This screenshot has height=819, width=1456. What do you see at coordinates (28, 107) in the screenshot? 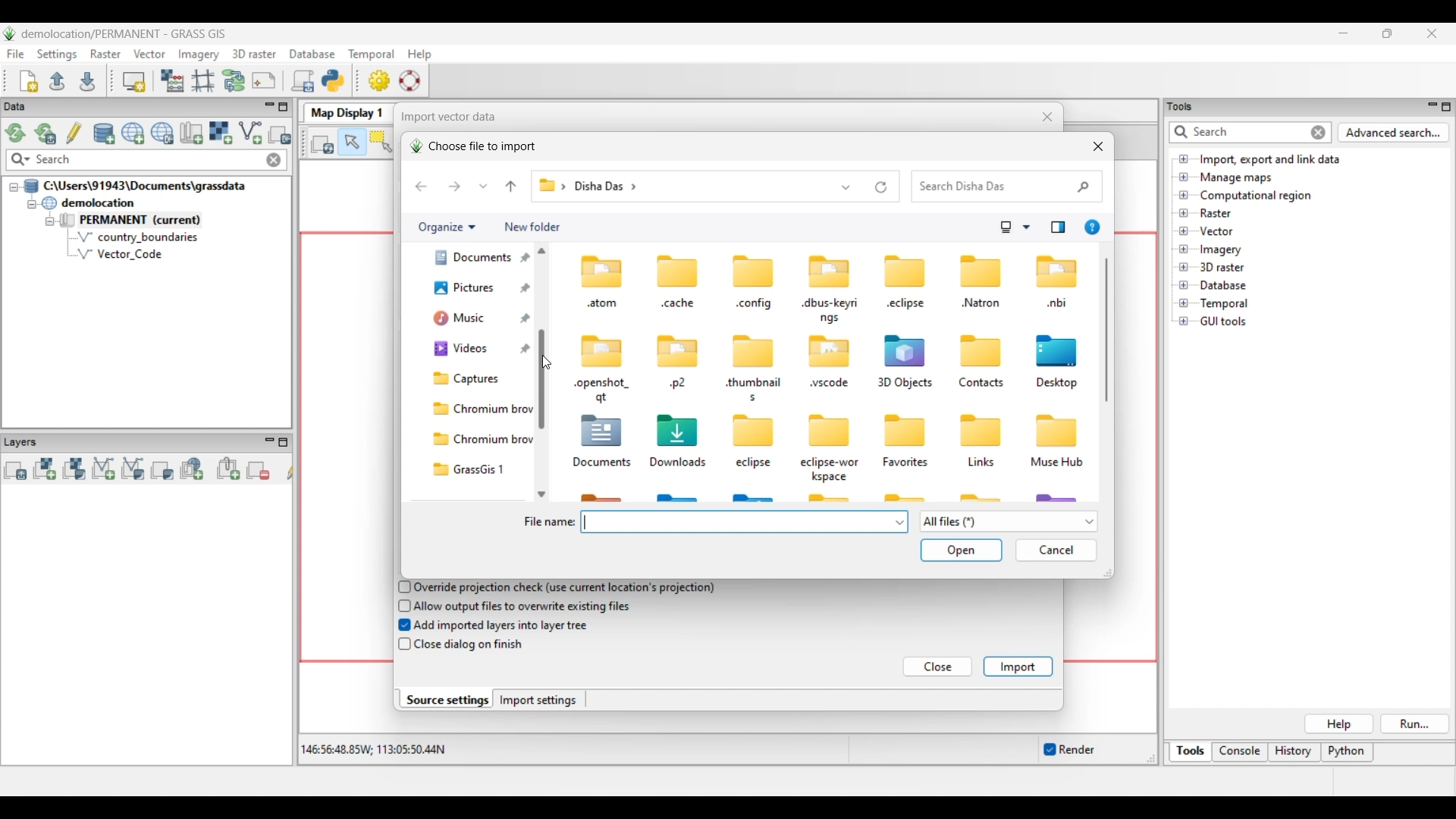
I see `Data` at bounding box center [28, 107].